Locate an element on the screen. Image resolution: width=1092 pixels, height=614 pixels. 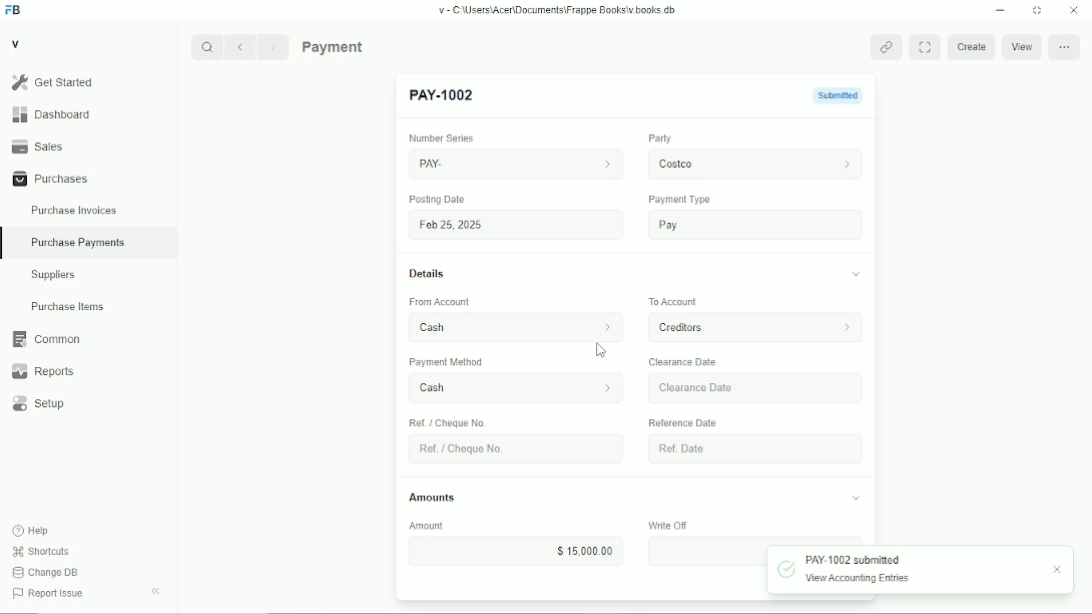
Cash is located at coordinates (505, 389).